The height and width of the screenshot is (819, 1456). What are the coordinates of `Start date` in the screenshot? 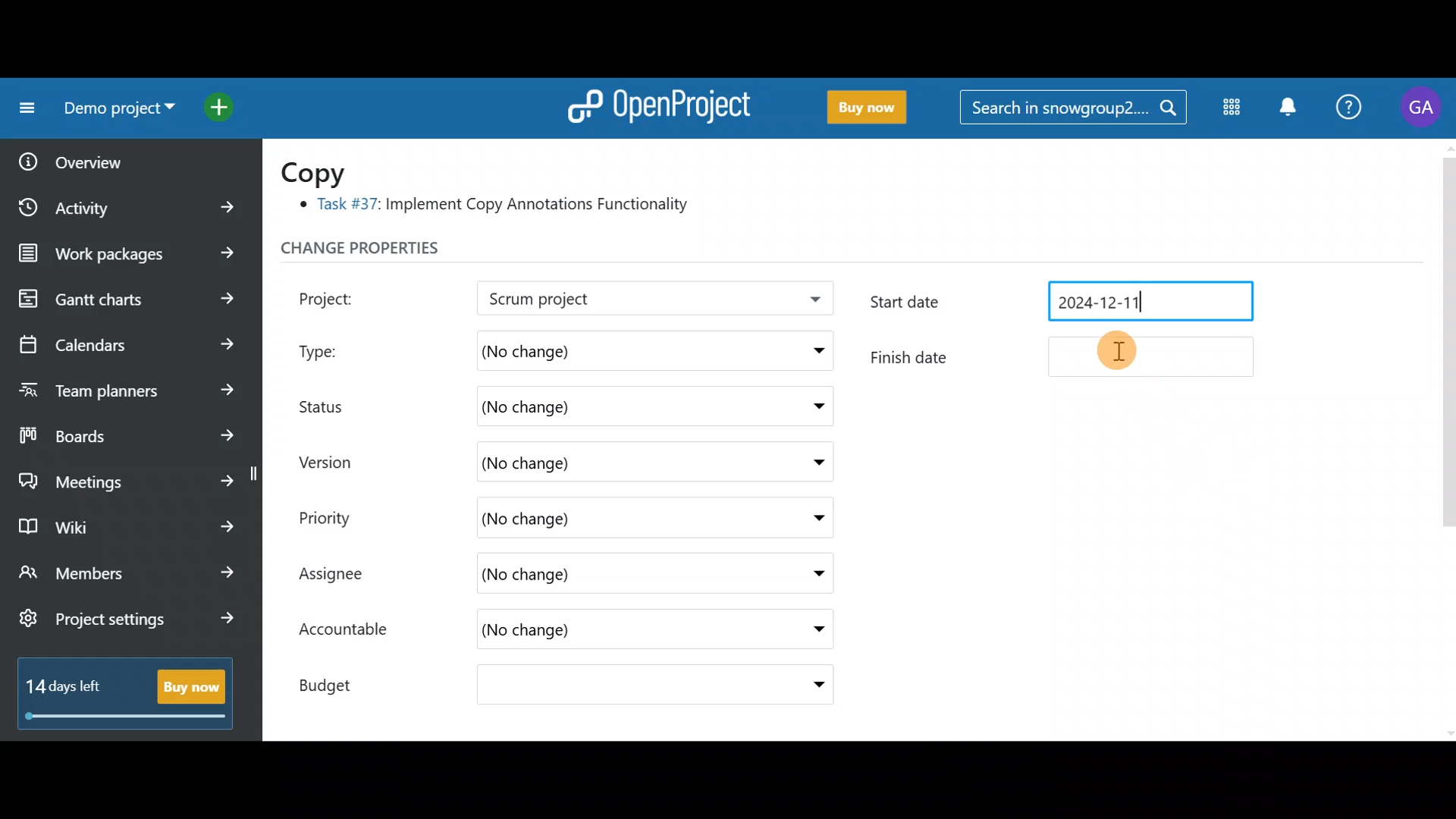 It's located at (932, 303).